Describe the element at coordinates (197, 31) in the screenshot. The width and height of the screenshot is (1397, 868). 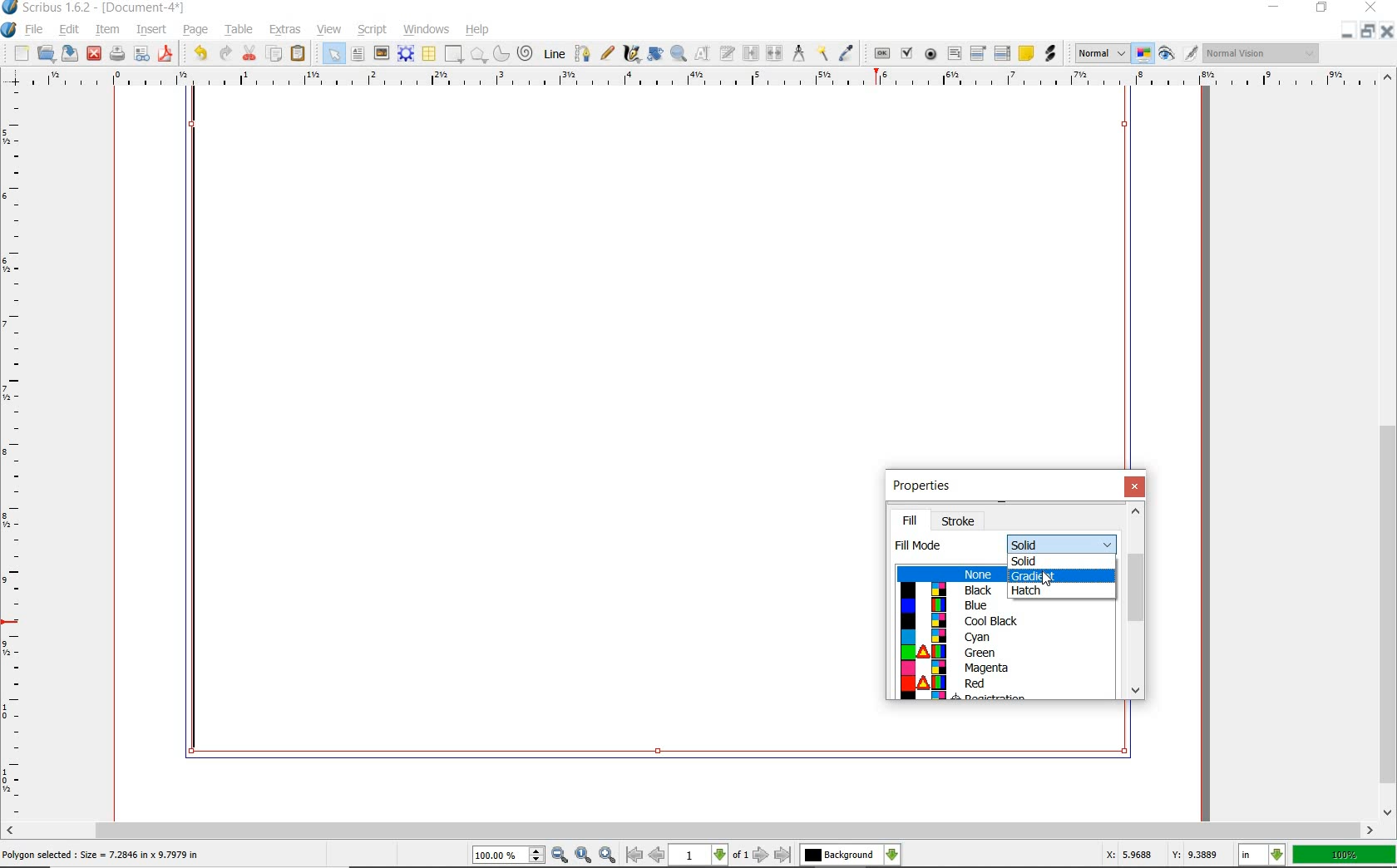
I see `page` at that location.